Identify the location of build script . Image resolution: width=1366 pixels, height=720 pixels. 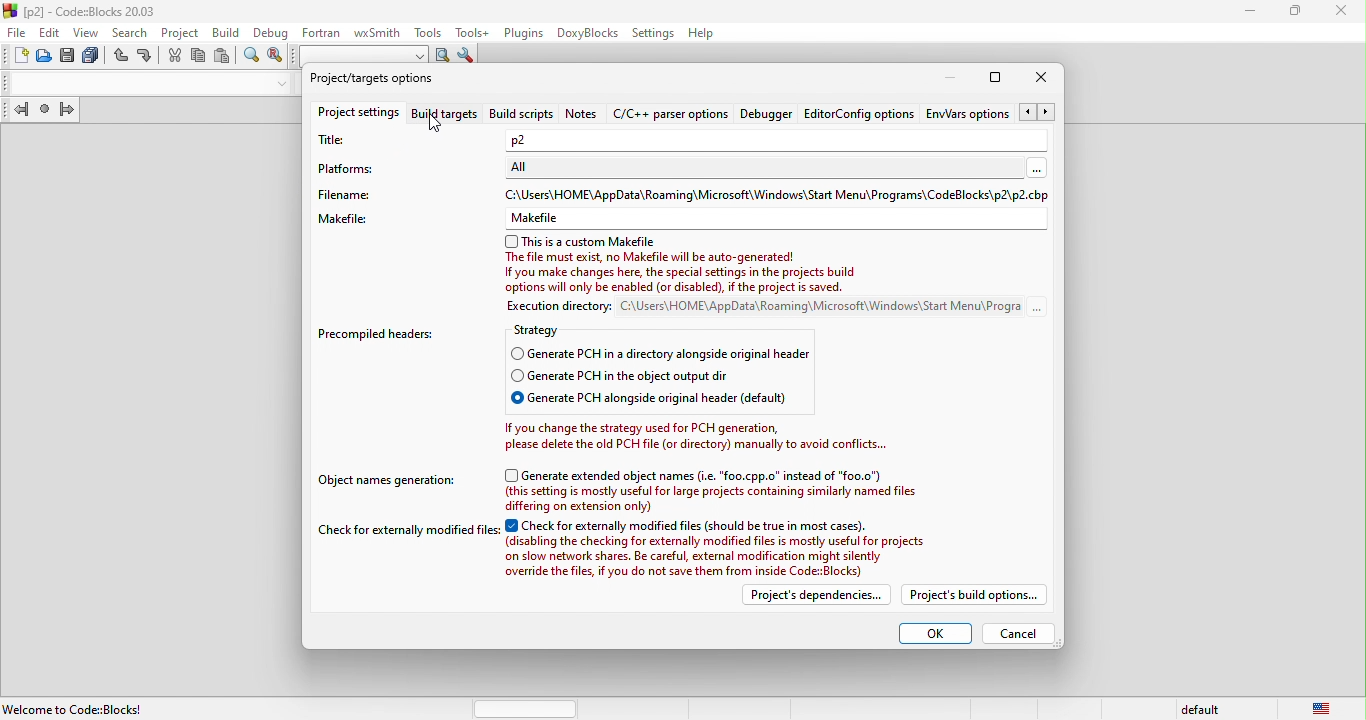
(525, 115).